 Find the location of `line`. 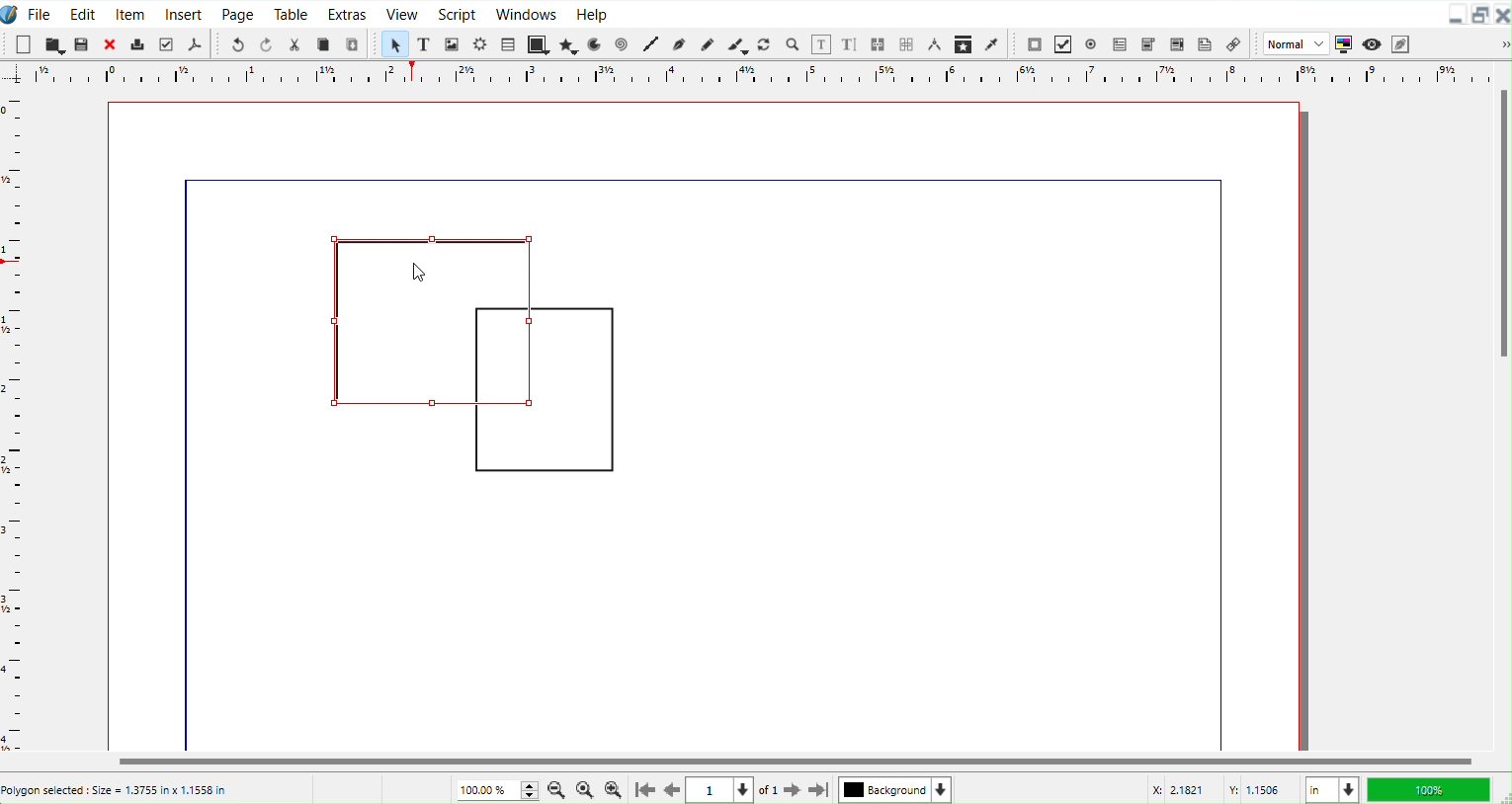

line is located at coordinates (612, 395).